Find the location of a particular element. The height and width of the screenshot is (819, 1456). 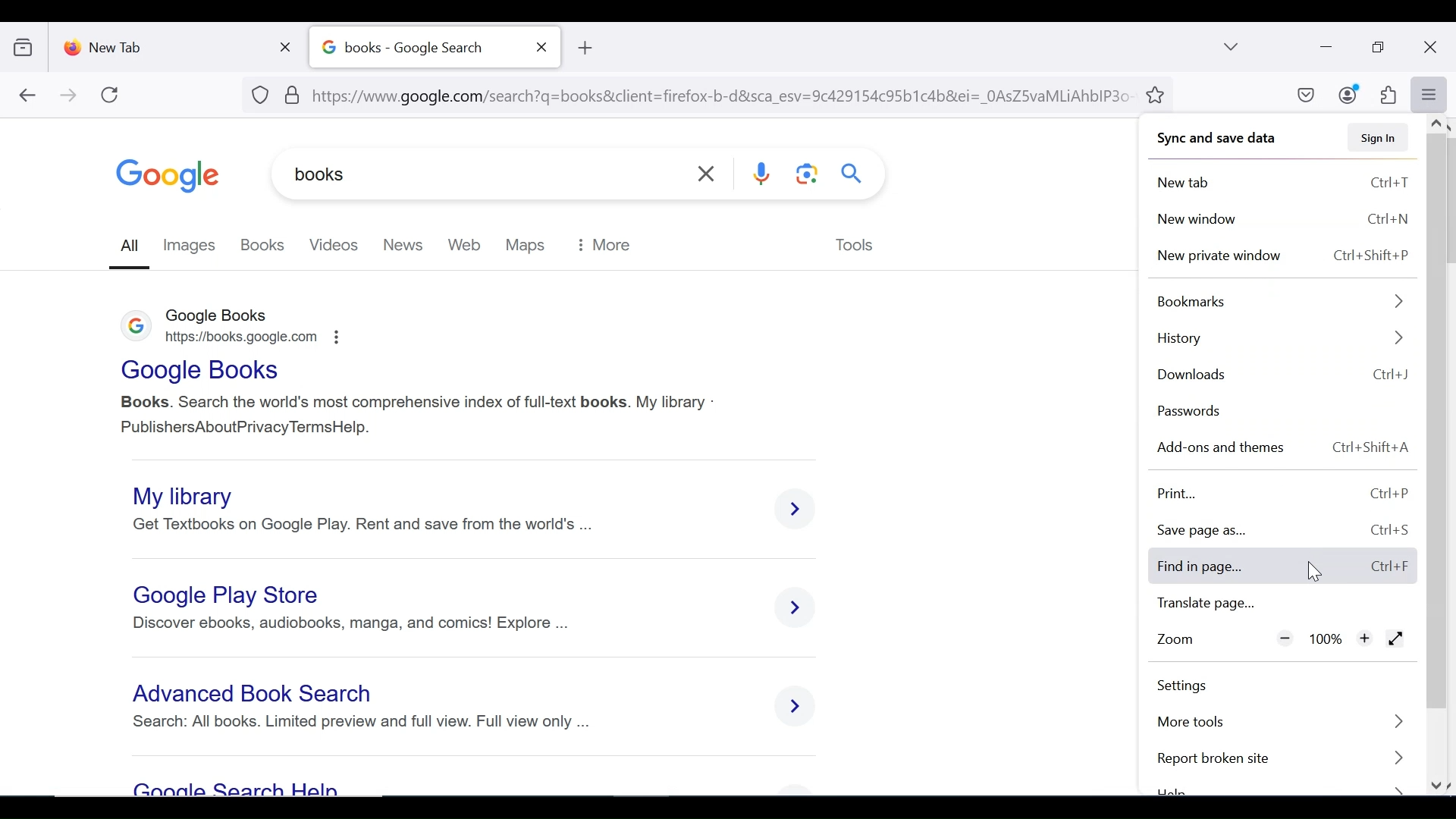

bookmarks is located at coordinates (1280, 299).